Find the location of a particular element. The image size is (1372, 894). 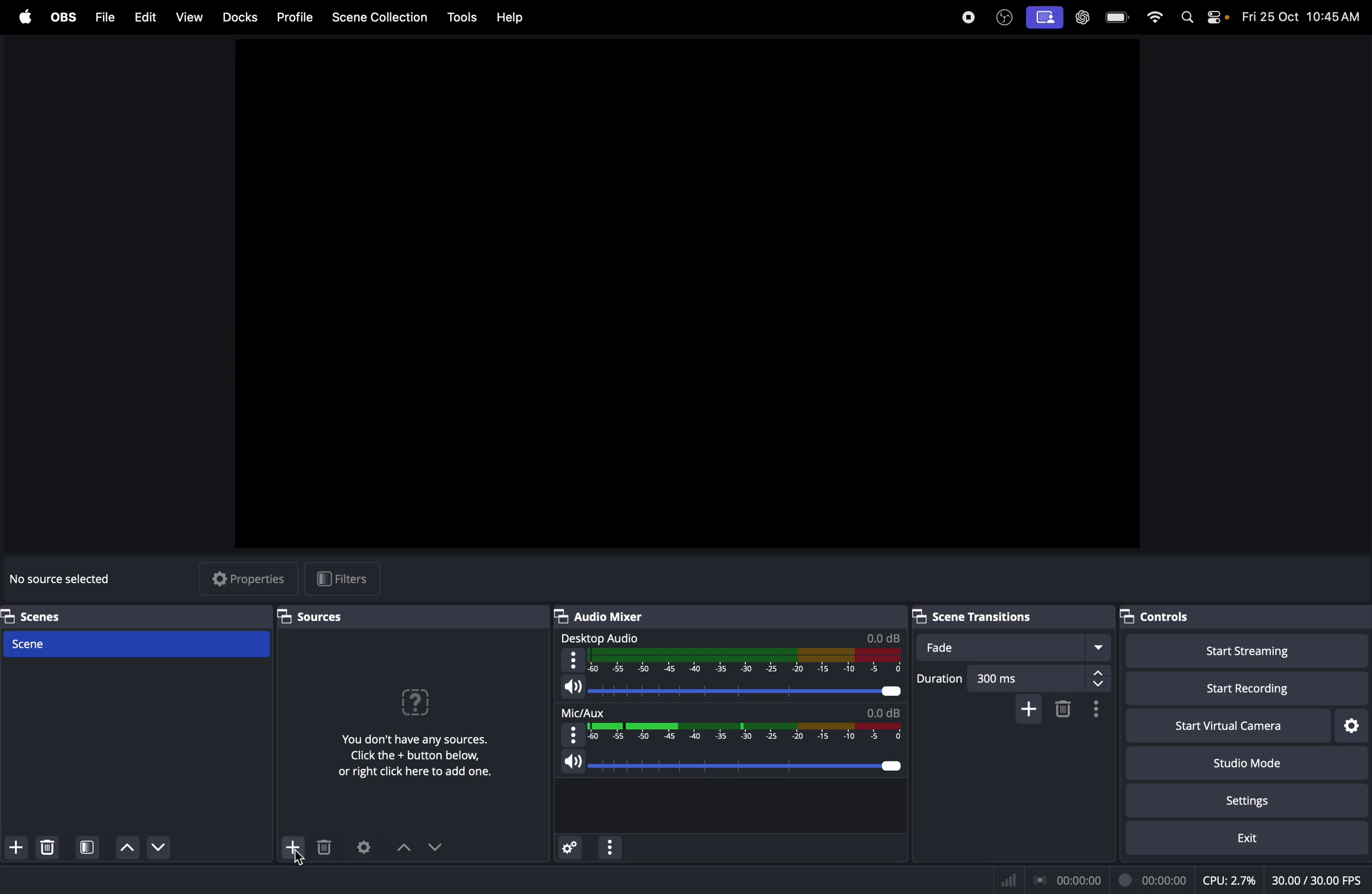

battery is located at coordinates (1120, 17).